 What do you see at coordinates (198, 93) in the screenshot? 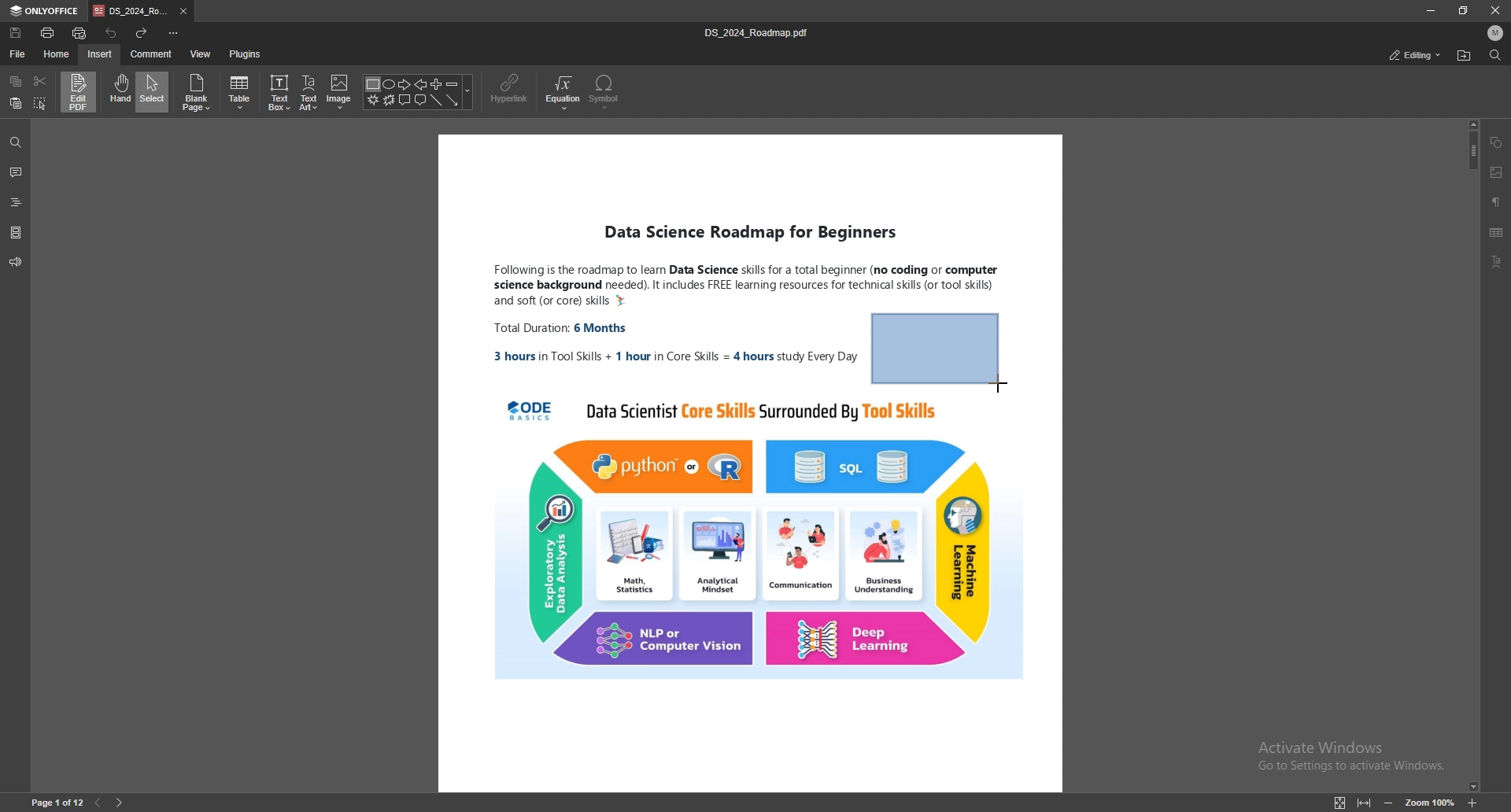
I see `blank page` at bounding box center [198, 93].